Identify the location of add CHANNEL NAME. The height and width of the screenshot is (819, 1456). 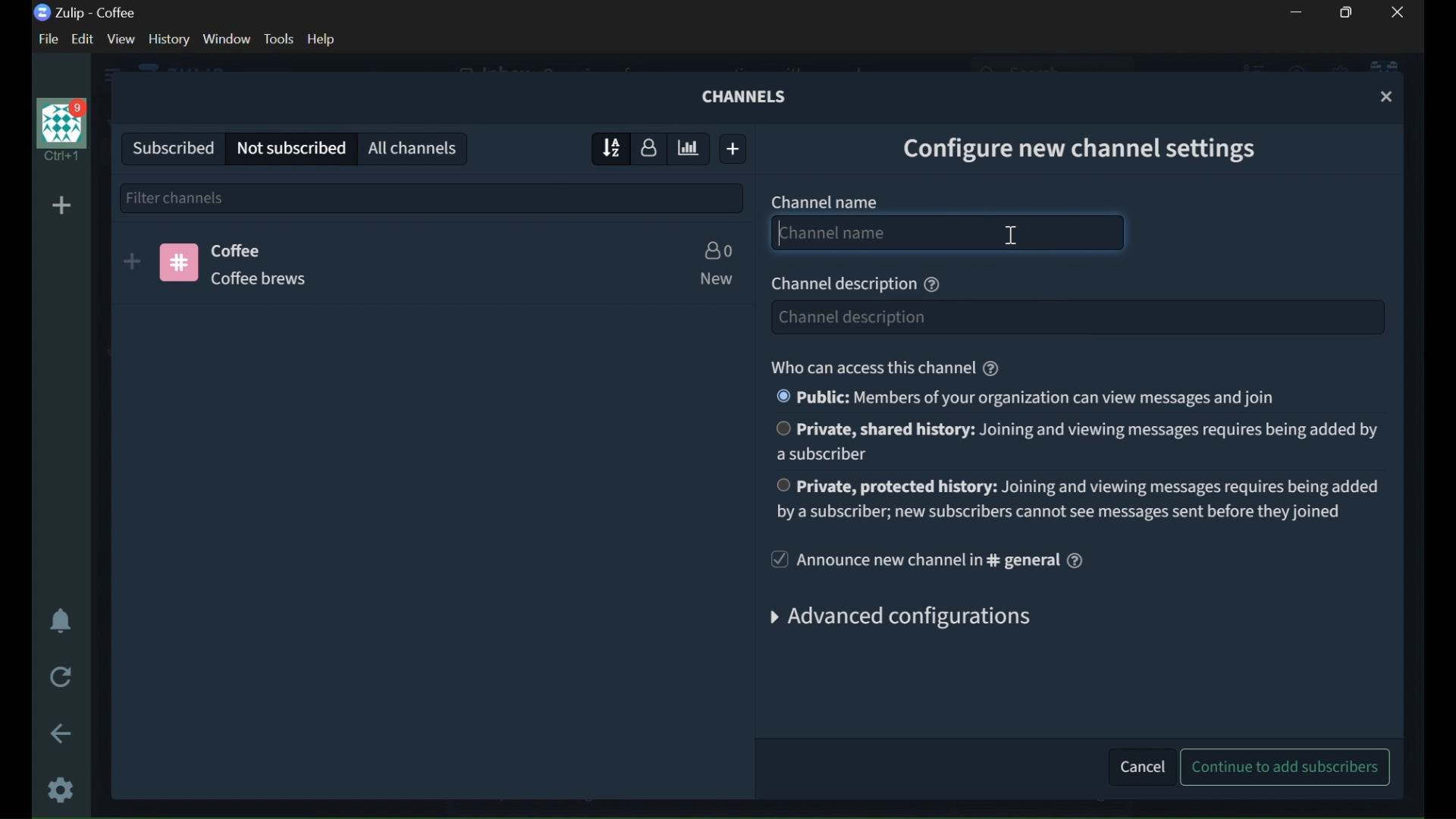
(948, 233).